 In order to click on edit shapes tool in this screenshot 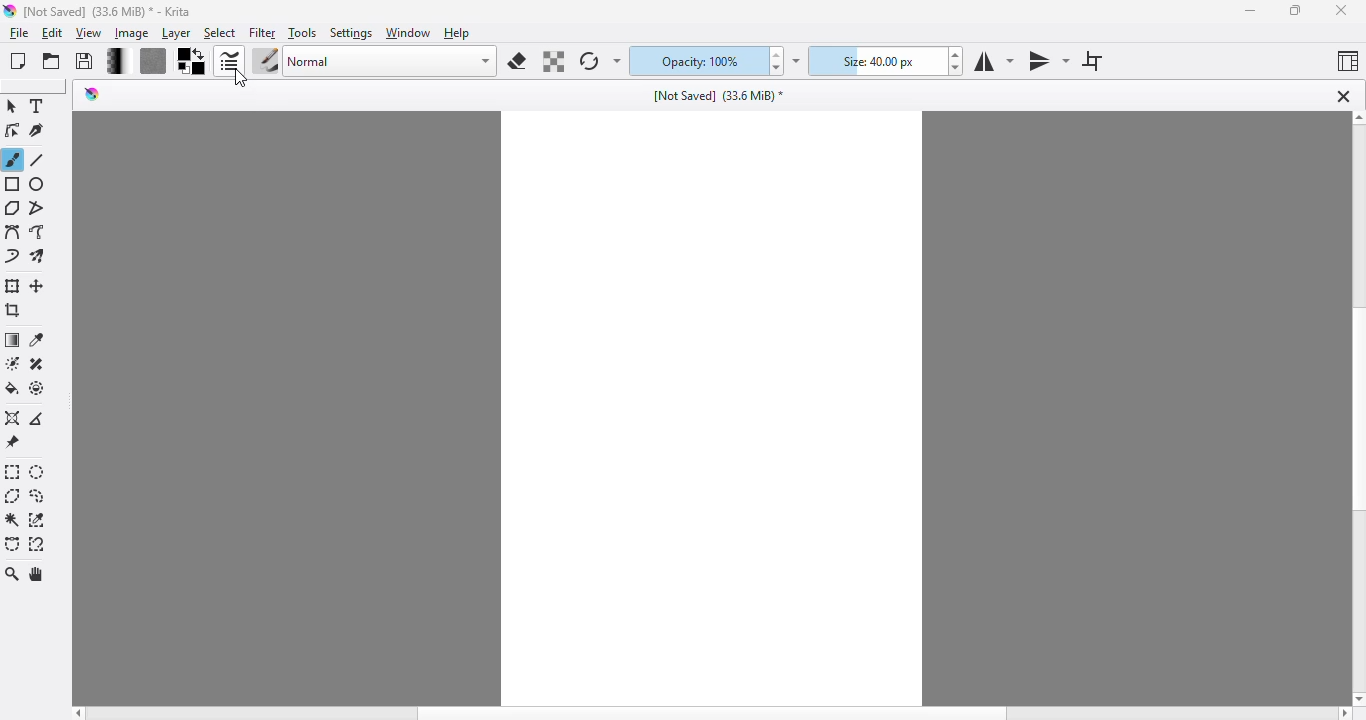, I will do `click(12, 131)`.